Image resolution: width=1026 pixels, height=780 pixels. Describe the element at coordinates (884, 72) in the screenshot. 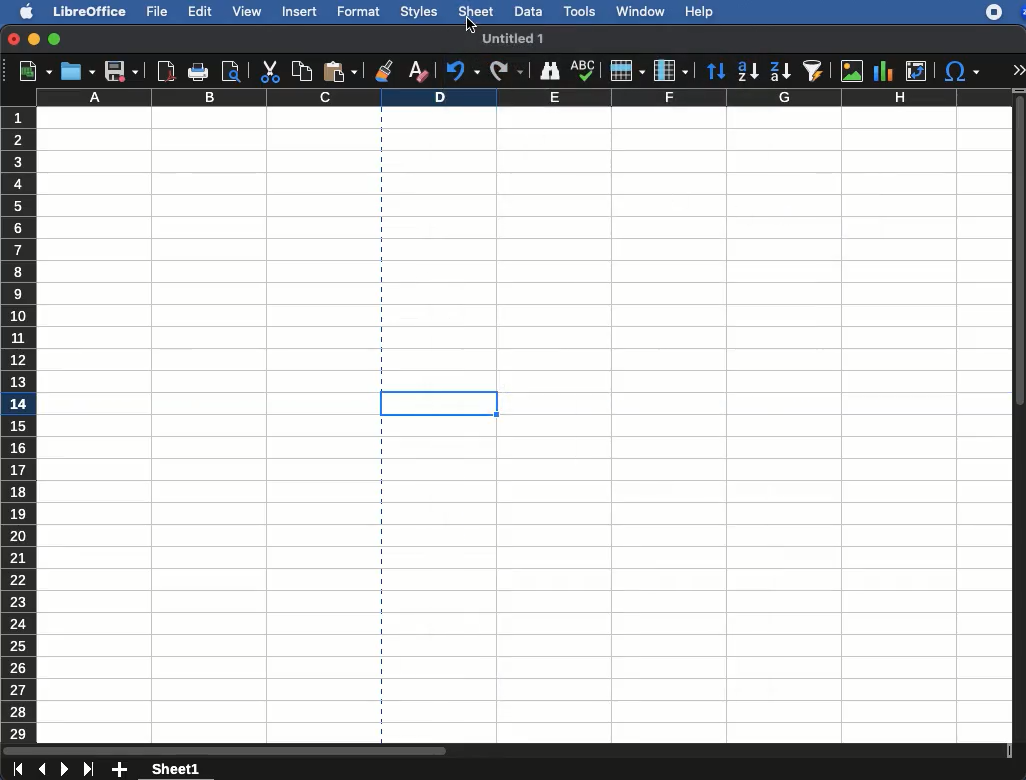

I see `chart` at that location.